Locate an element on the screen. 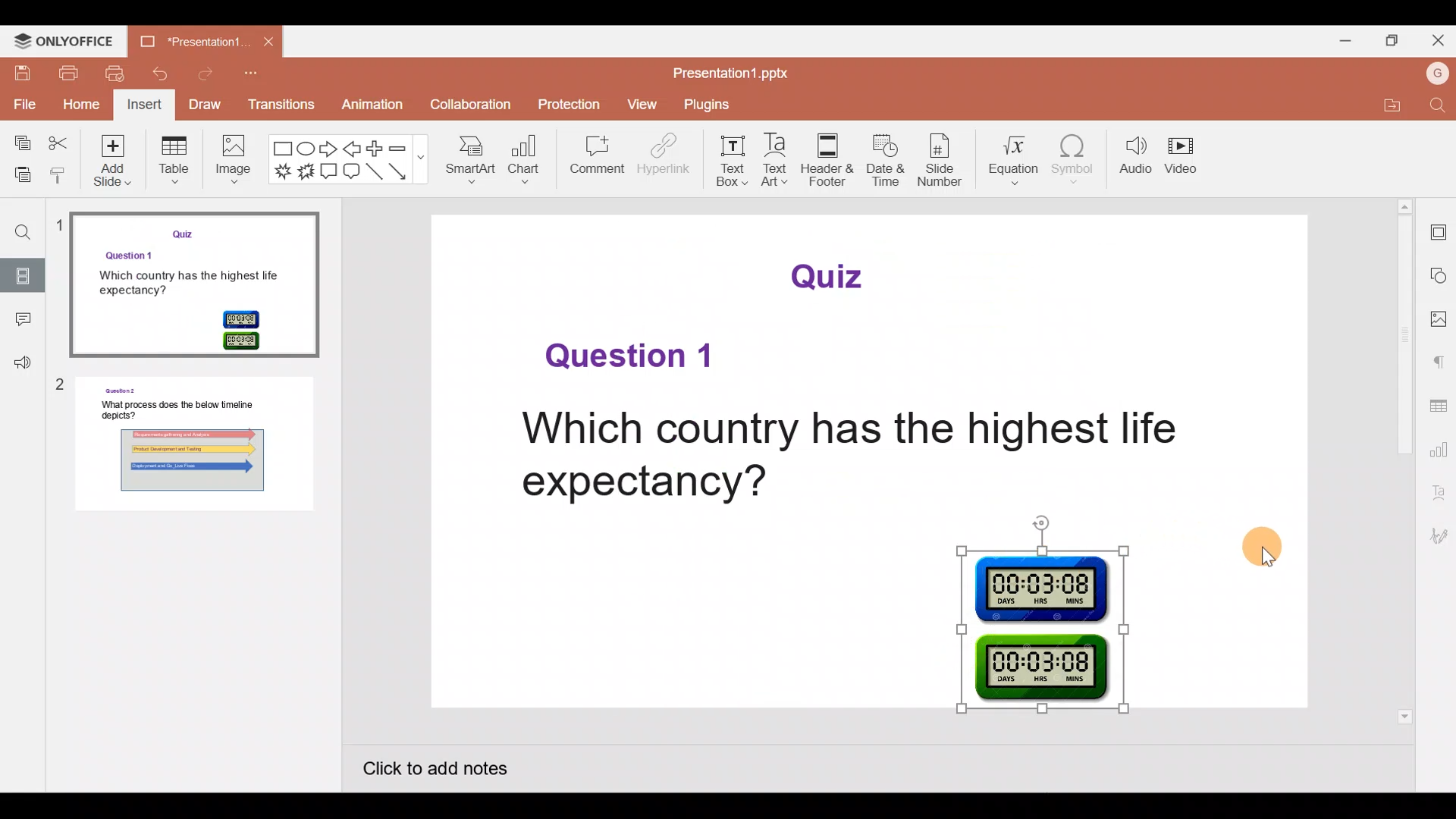 This screenshot has width=1456, height=819. Rectangular callout is located at coordinates (329, 174).